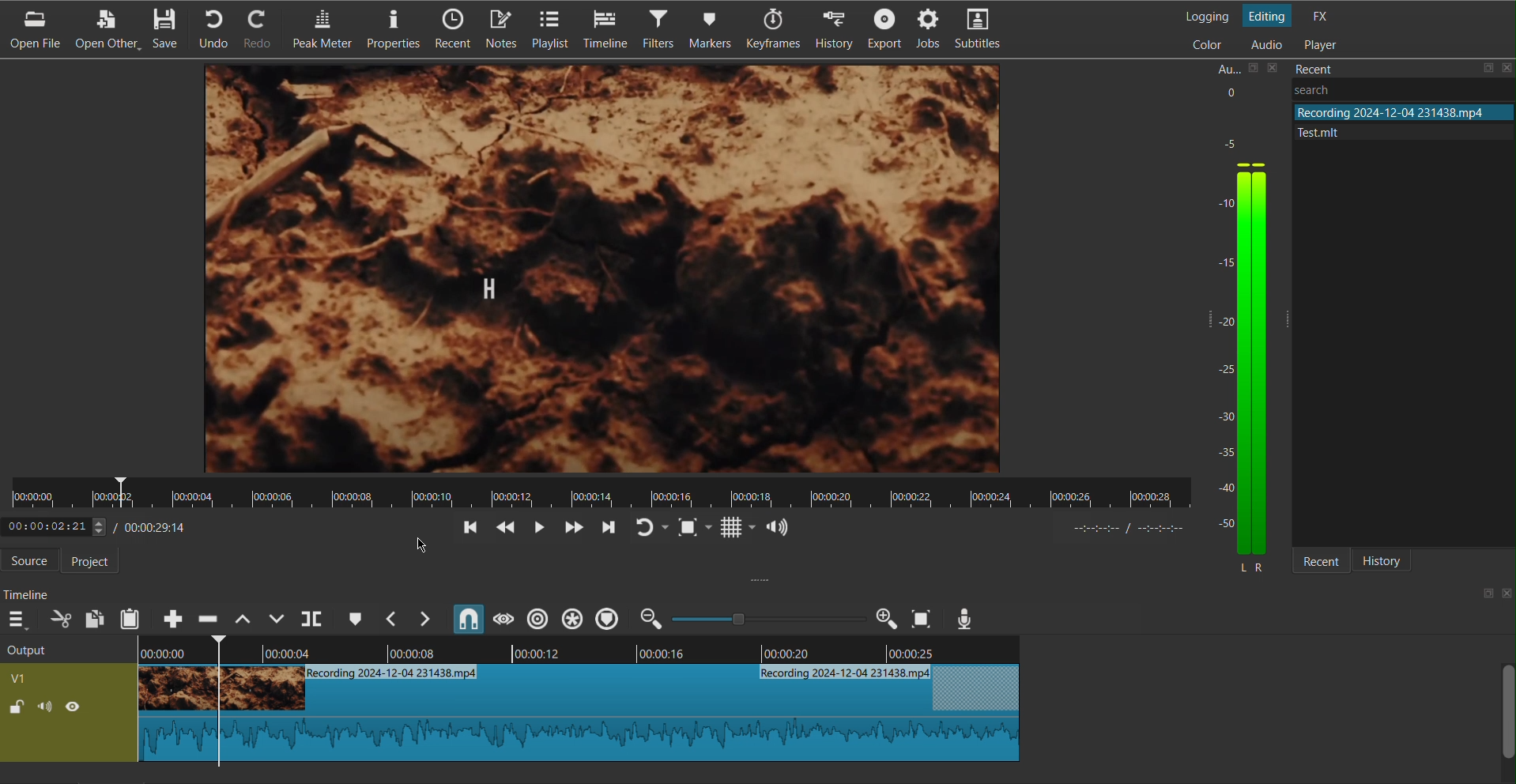  What do you see at coordinates (354, 617) in the screenshot?
I see `Cue` at bounding box center [354, 617].